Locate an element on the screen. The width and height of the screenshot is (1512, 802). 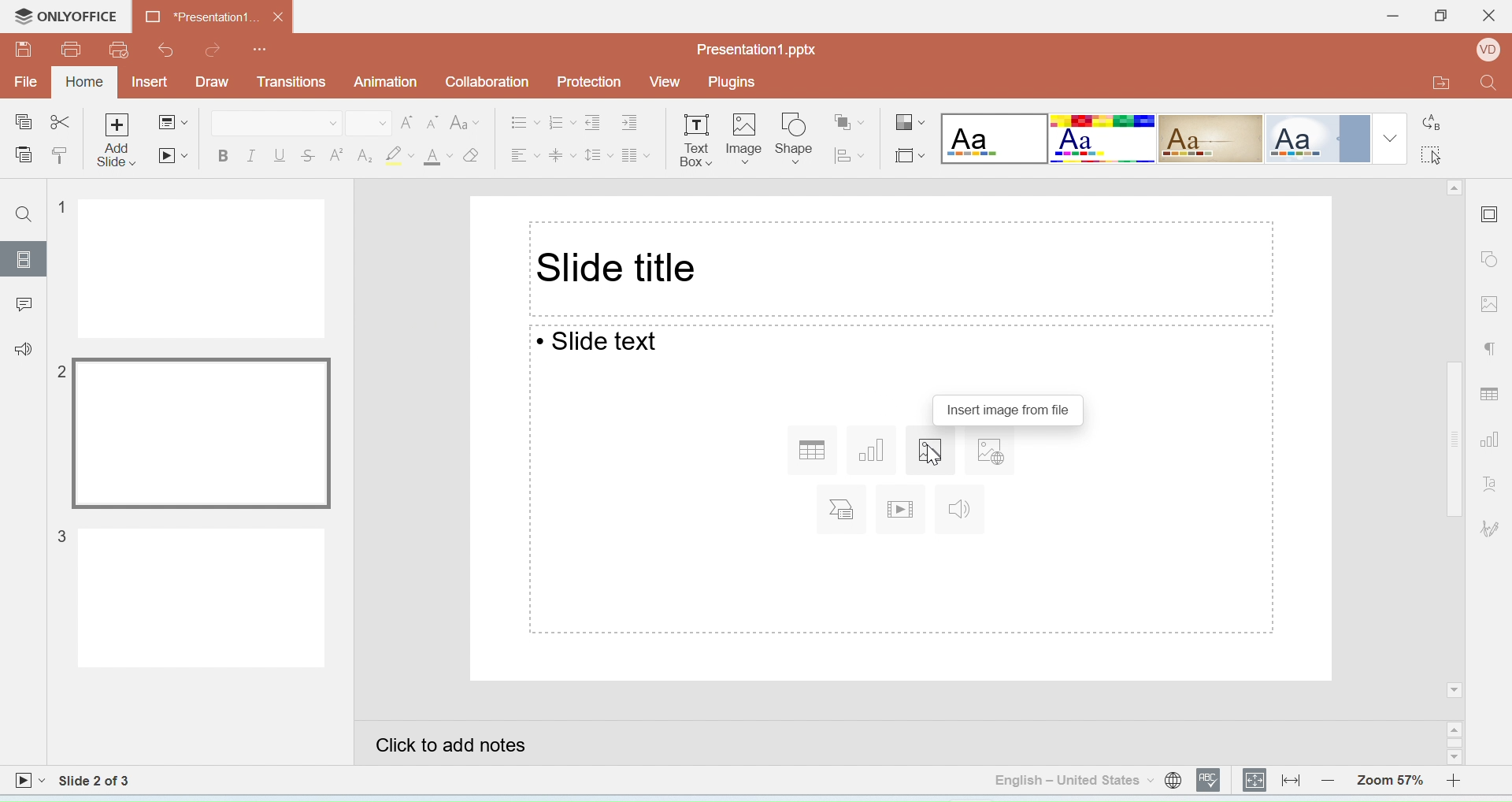
Start slideshow is located at coordinates (172, 155).